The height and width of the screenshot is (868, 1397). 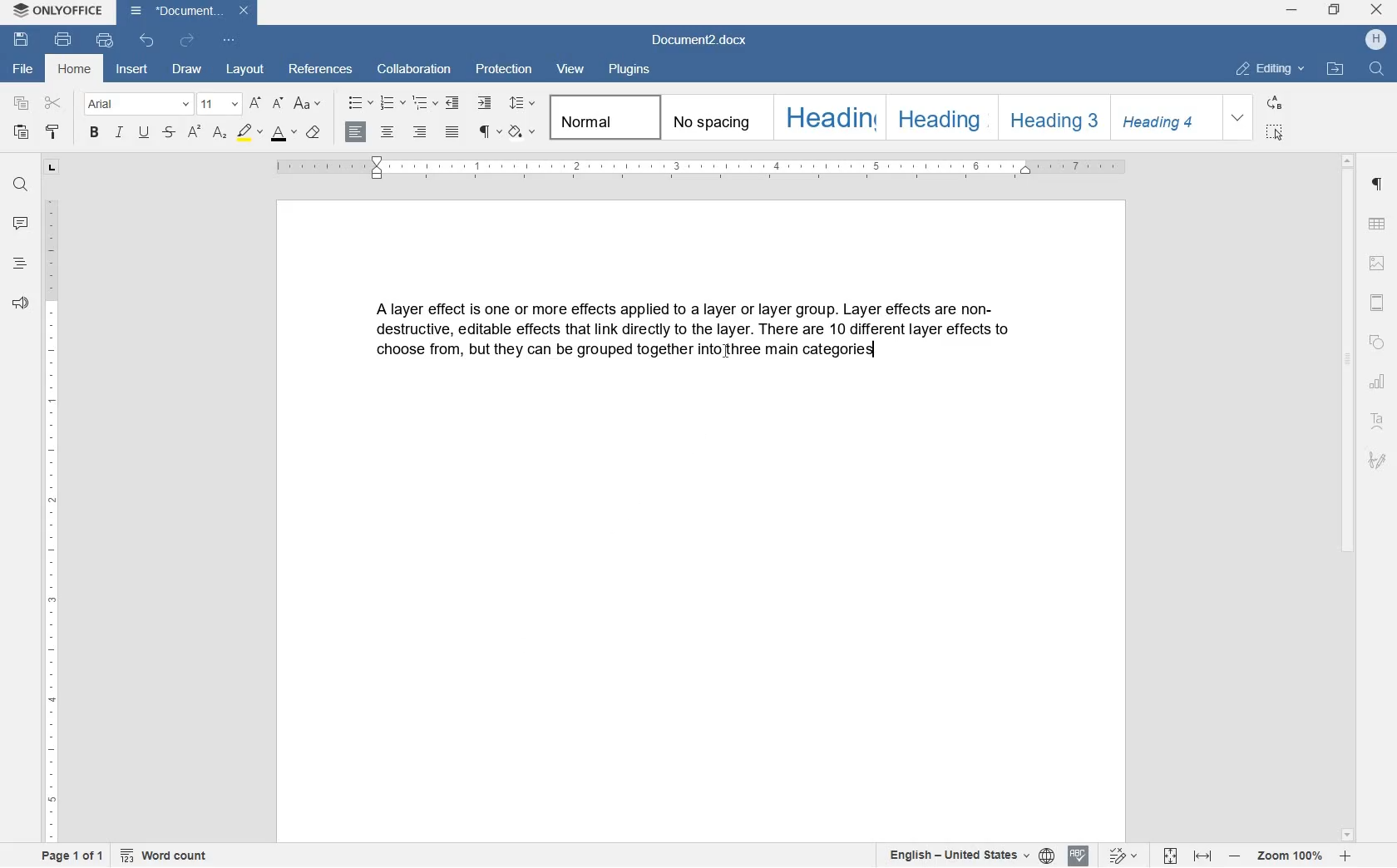 What do you see at coordinates (19, 303) in the screenshot?
I see `feedback and surpport` at bounding box center [19, 303].